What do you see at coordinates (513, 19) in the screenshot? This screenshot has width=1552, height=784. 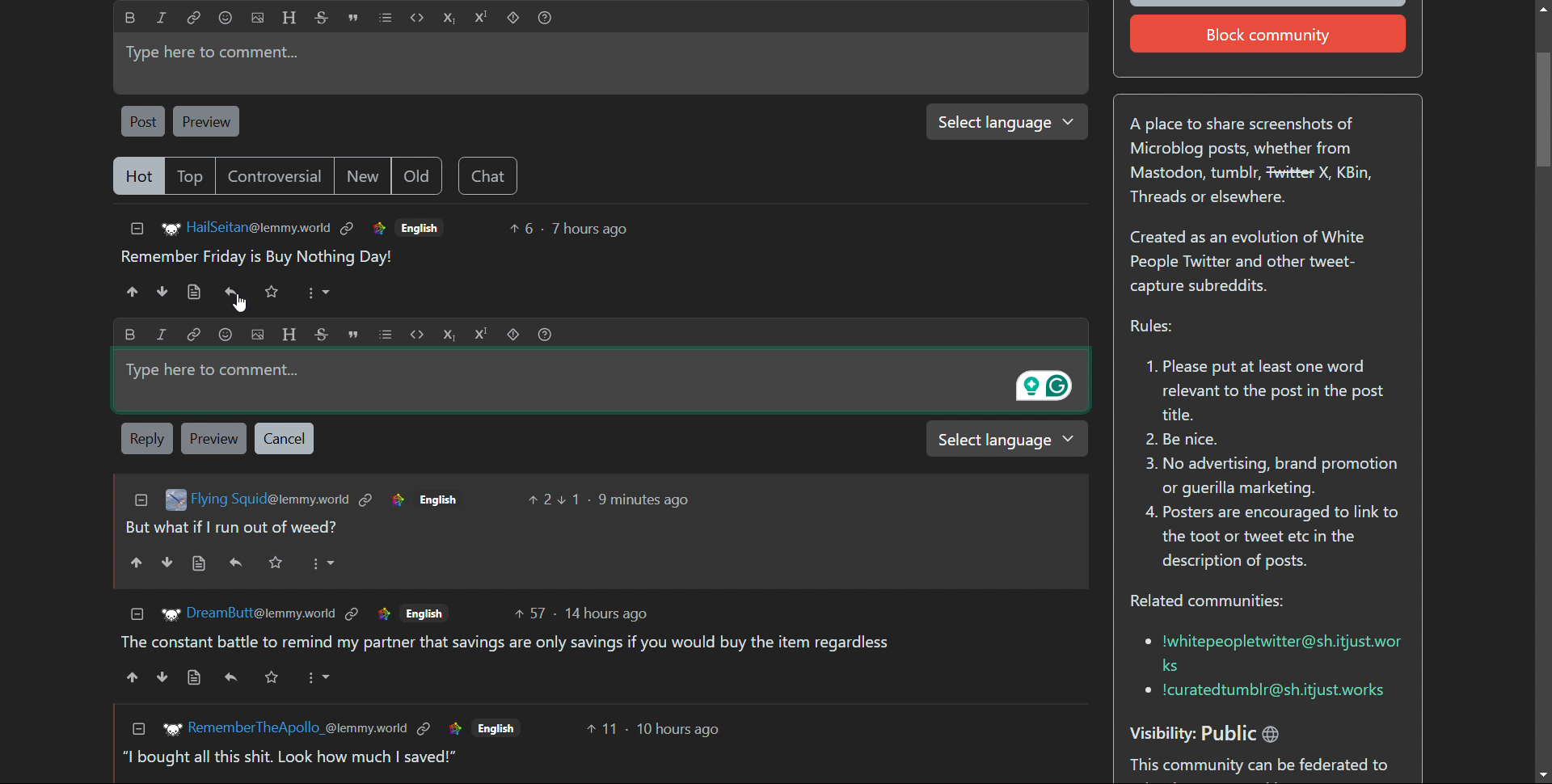 I see `spoiler` at bounding box center [513, 19].